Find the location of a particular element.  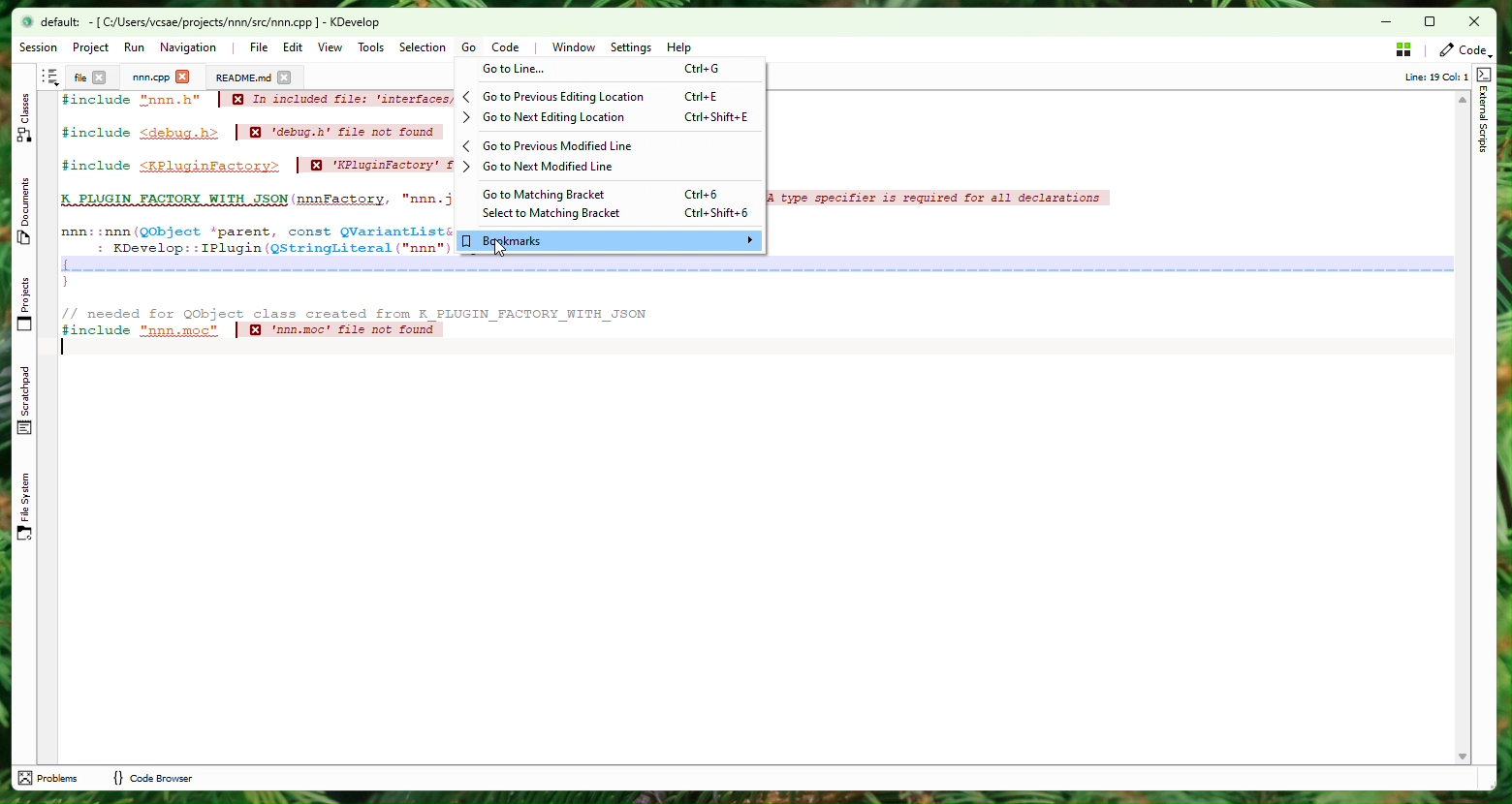

Help is located at coordinates (680, 49).